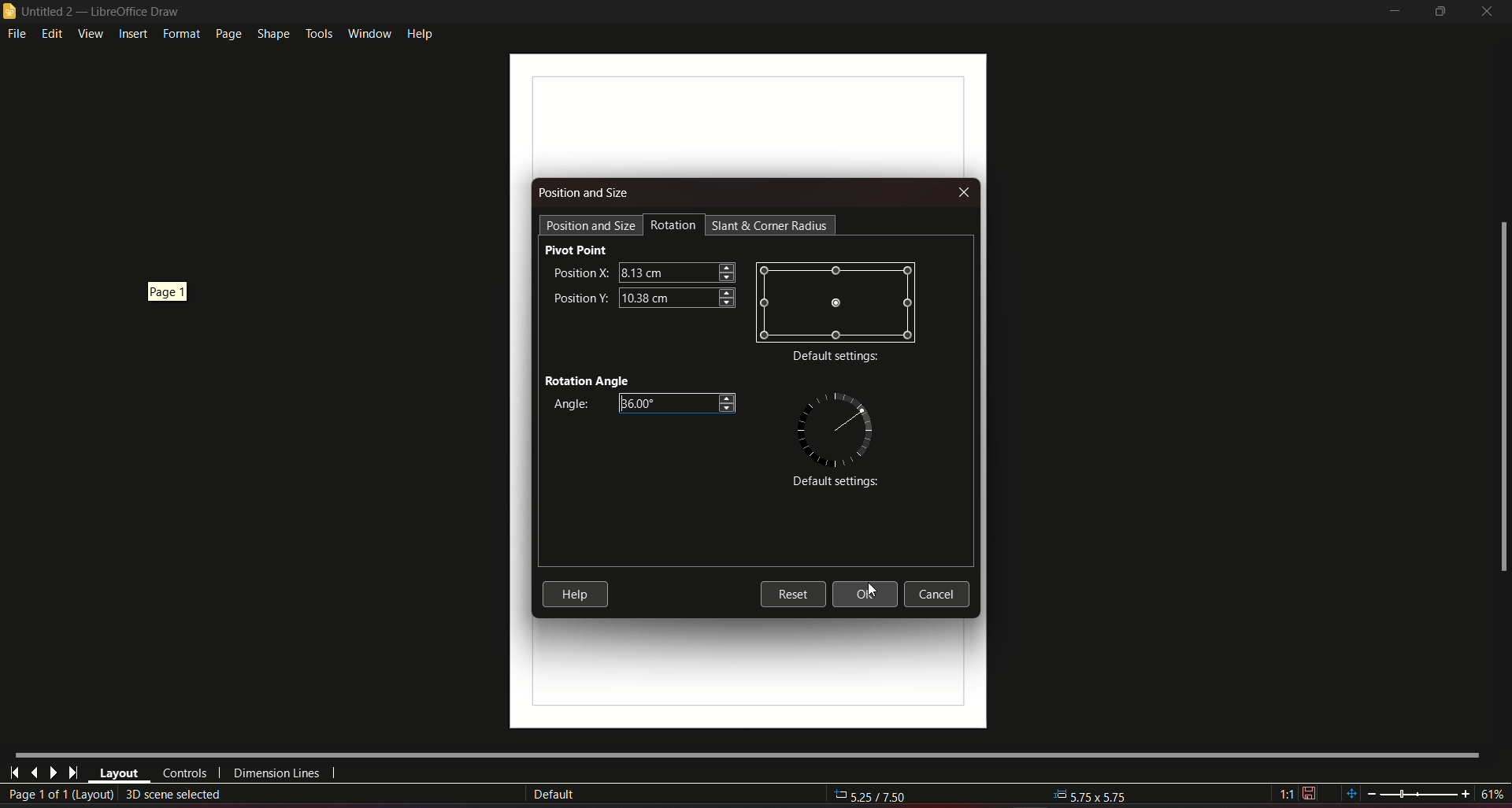  I want to click on minimize, so click(1392, 12).